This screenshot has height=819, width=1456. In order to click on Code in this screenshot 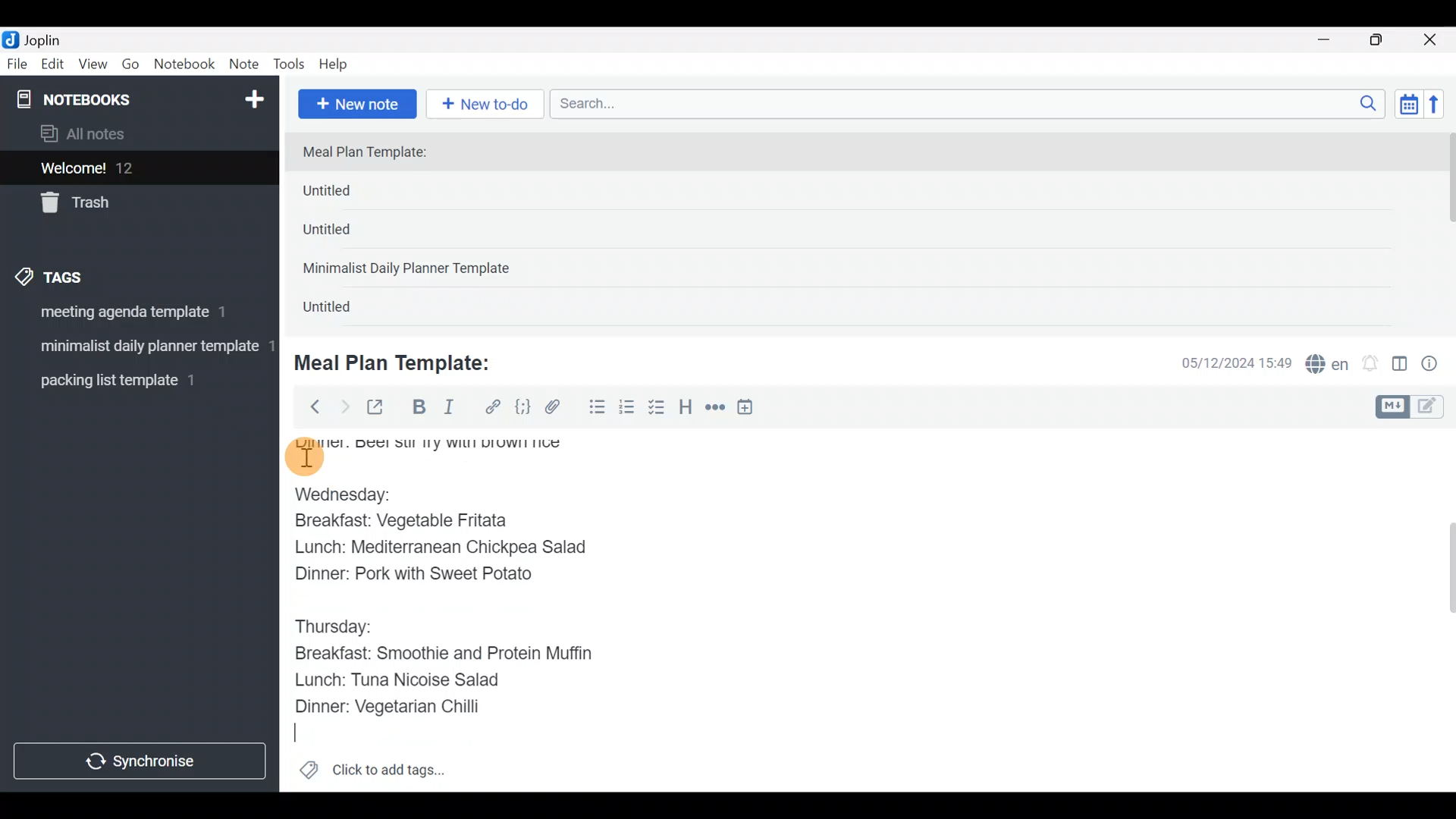, I will do `click(521, 406)`.